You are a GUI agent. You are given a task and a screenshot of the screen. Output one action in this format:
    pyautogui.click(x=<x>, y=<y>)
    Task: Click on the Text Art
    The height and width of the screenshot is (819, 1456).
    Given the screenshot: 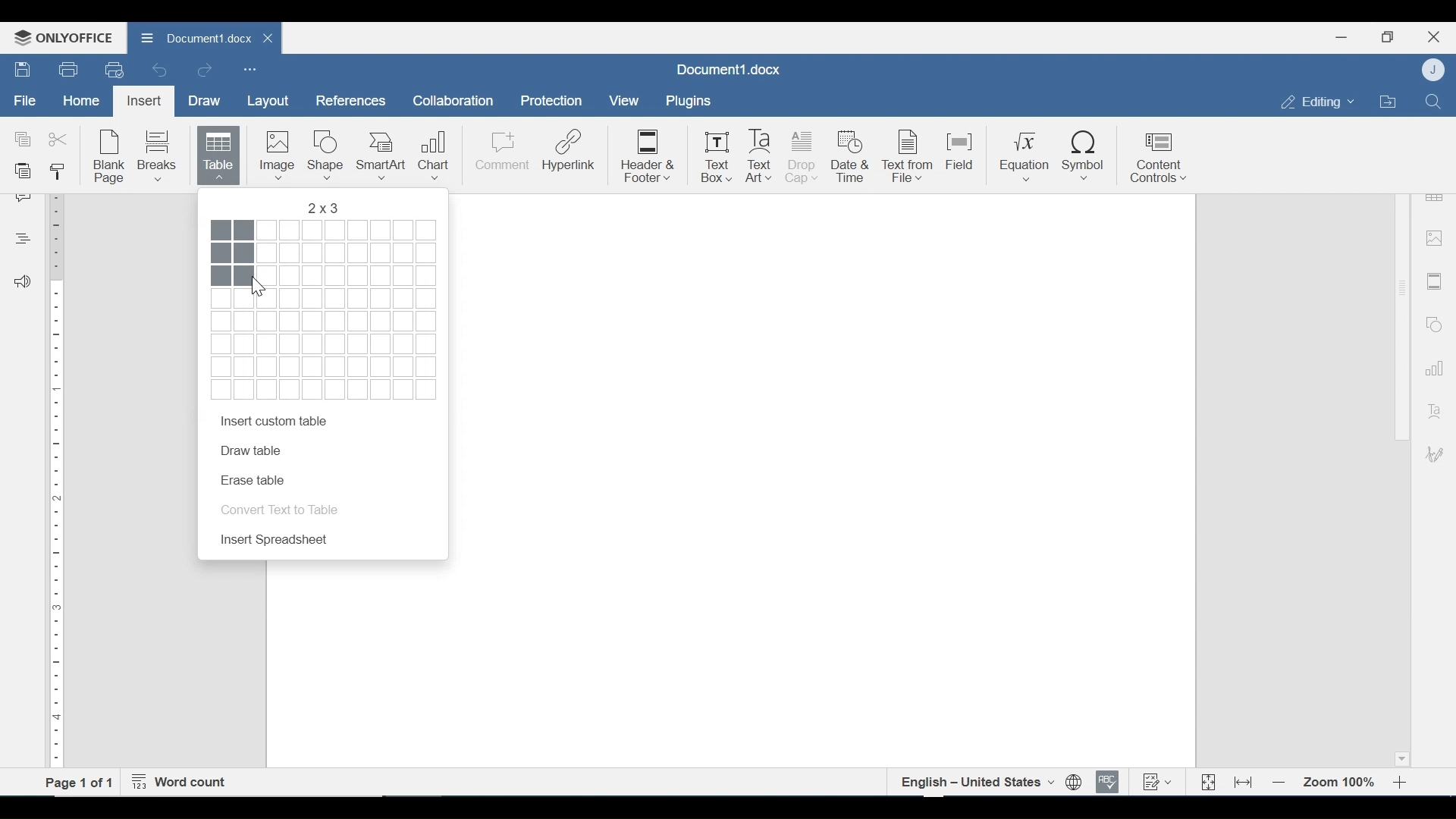 What is the action you would take?
    pyautogui.click(x=1432, y=408)
    